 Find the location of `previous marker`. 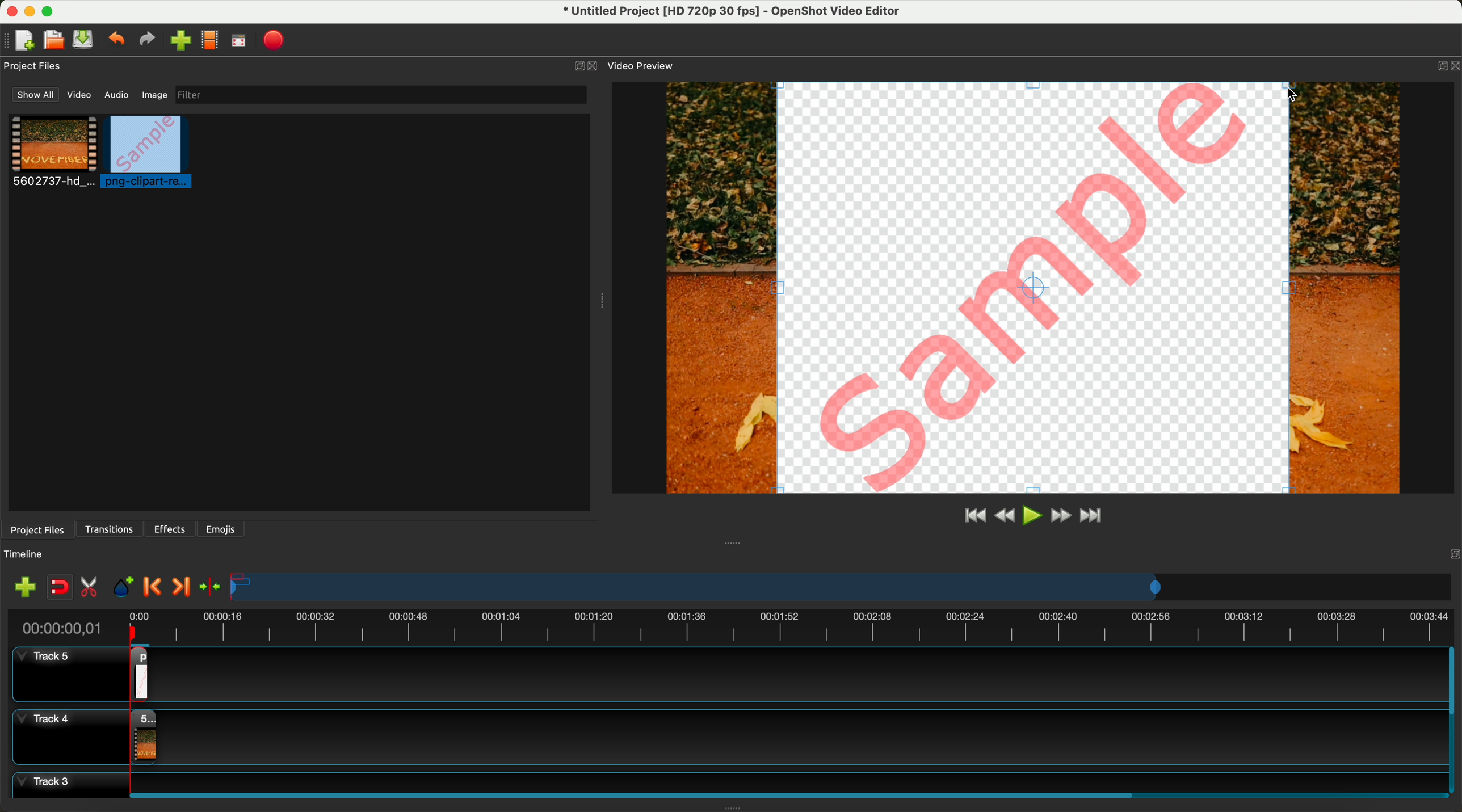

previous marker is located at coordinates (156, 587).